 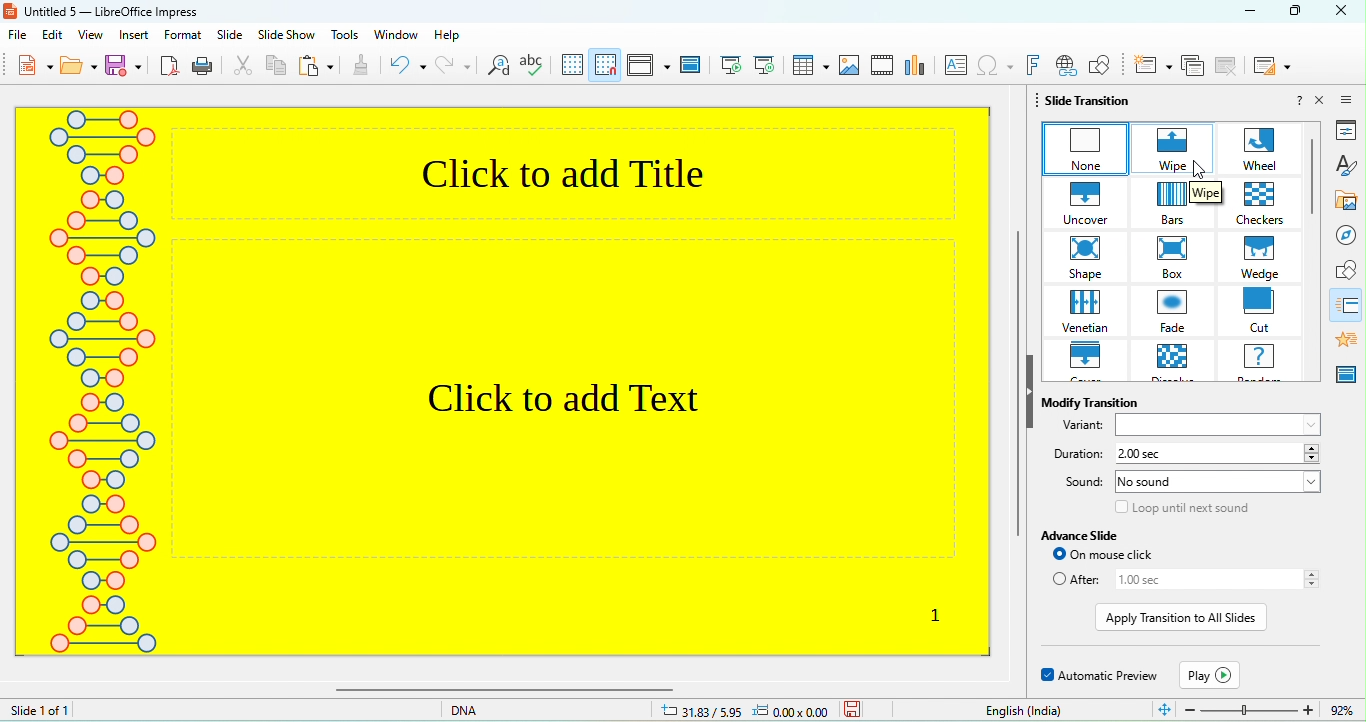 What do you see at coordinates (345, 36) in the screenshot?
I see `tools` at bounding box center [345, 36].